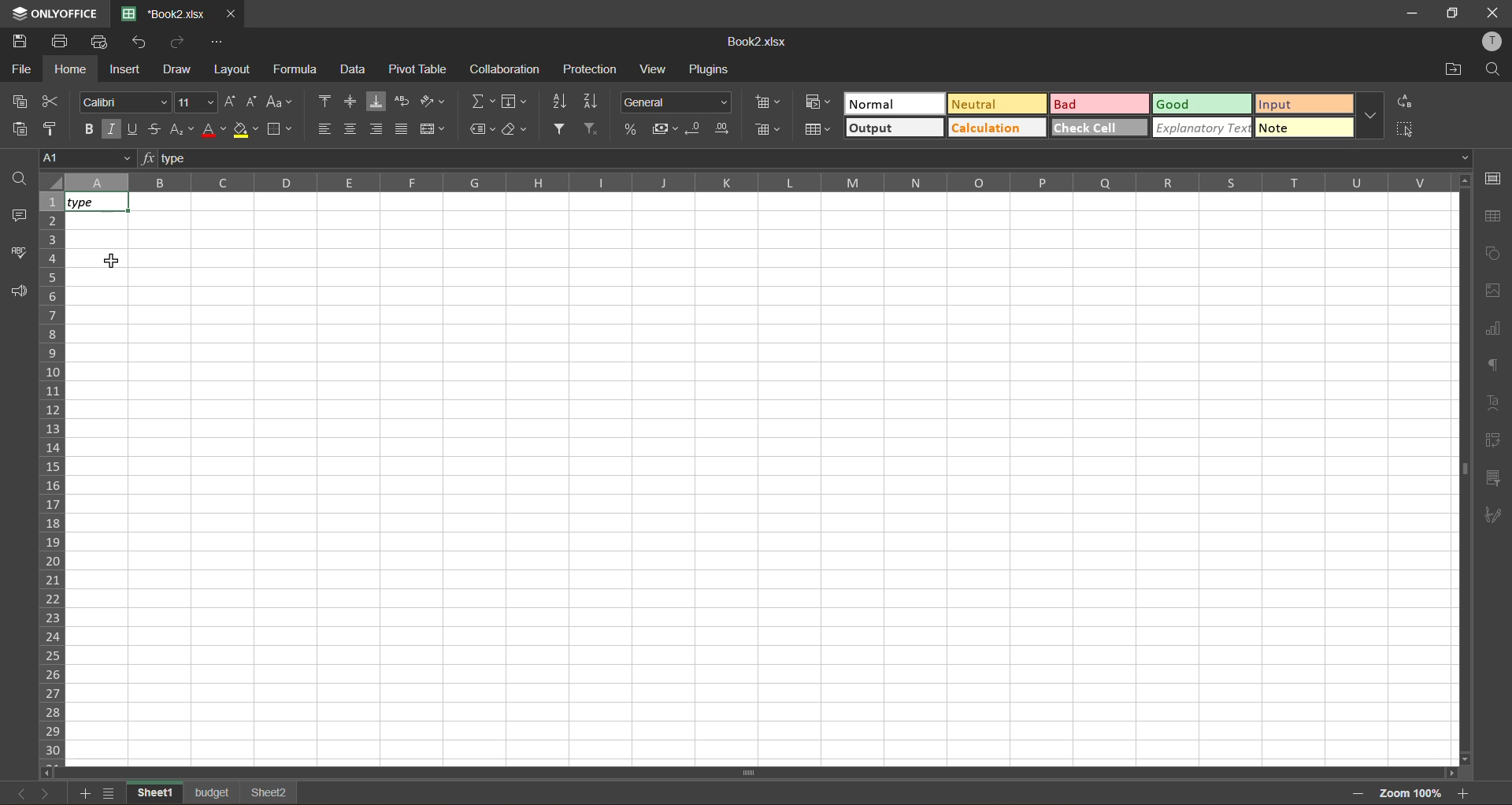 This screenshot has height=805, width=1512. What do you see at coordinates (1200, 103) in the screenshot?
I see `good` at bounding box center [1200, 103].